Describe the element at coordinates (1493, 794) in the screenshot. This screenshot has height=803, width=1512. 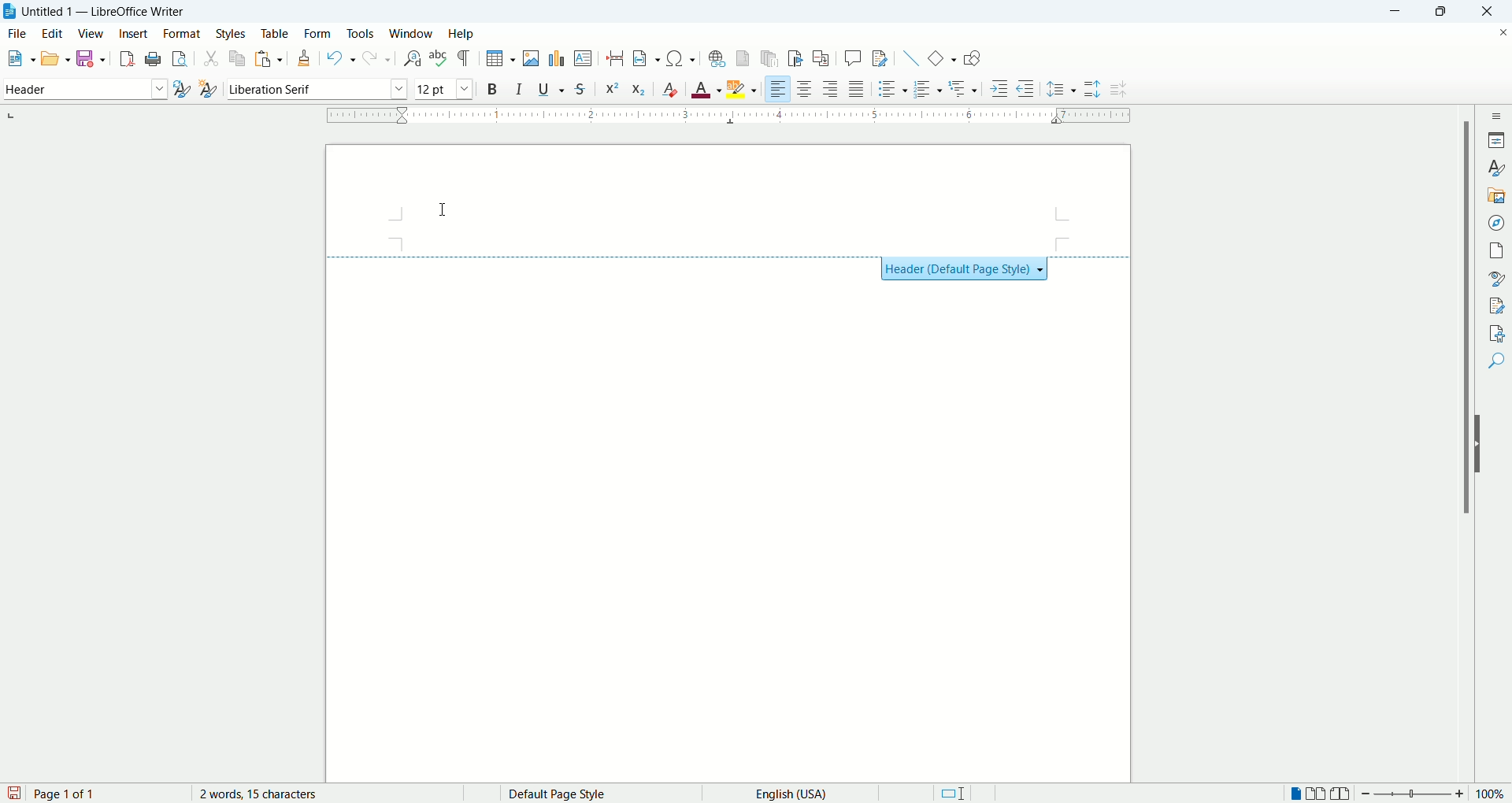
I see `zoom percent` at that location.